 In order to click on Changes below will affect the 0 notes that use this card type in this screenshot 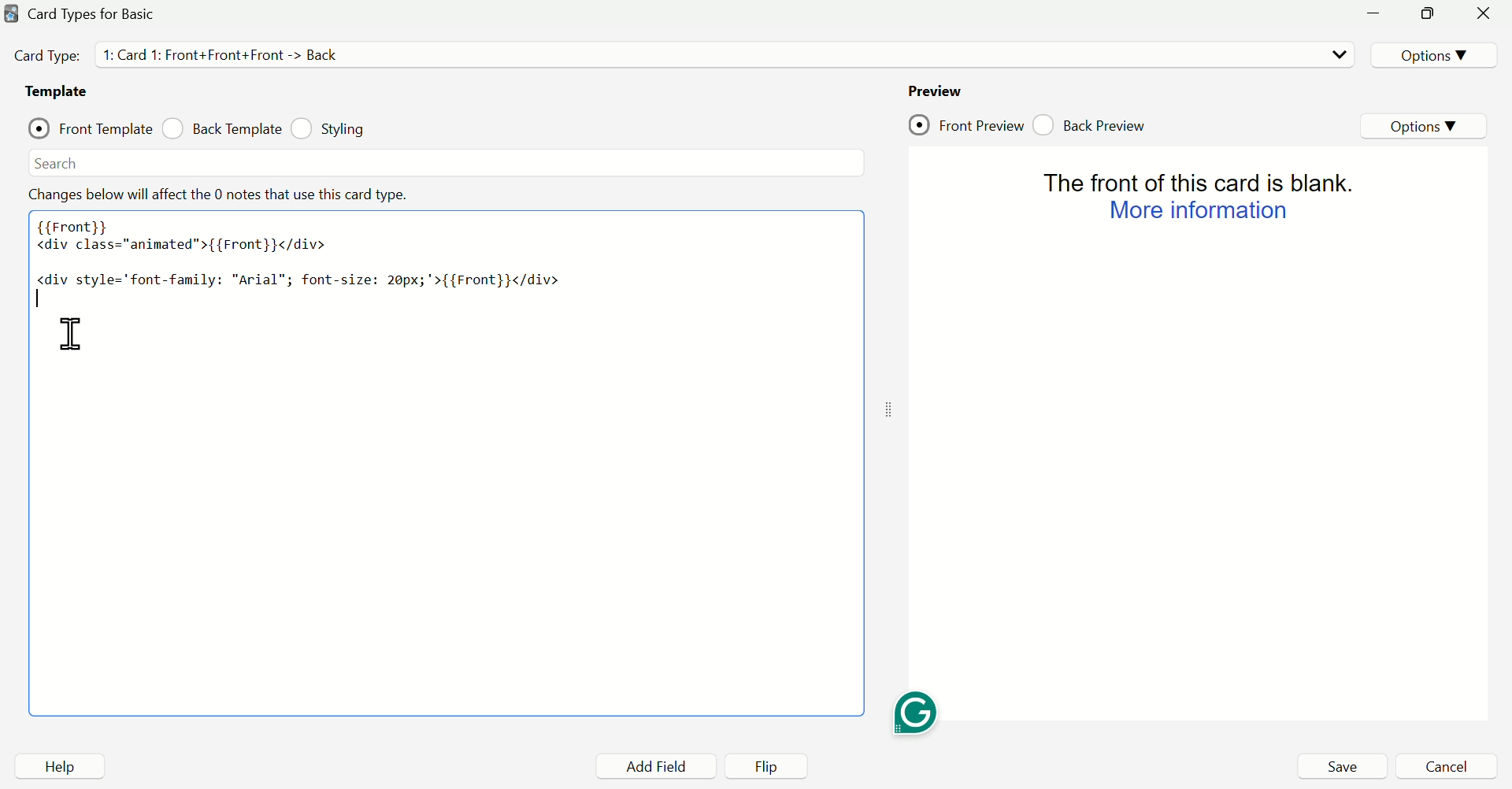, I will do `click(234, 196)`.